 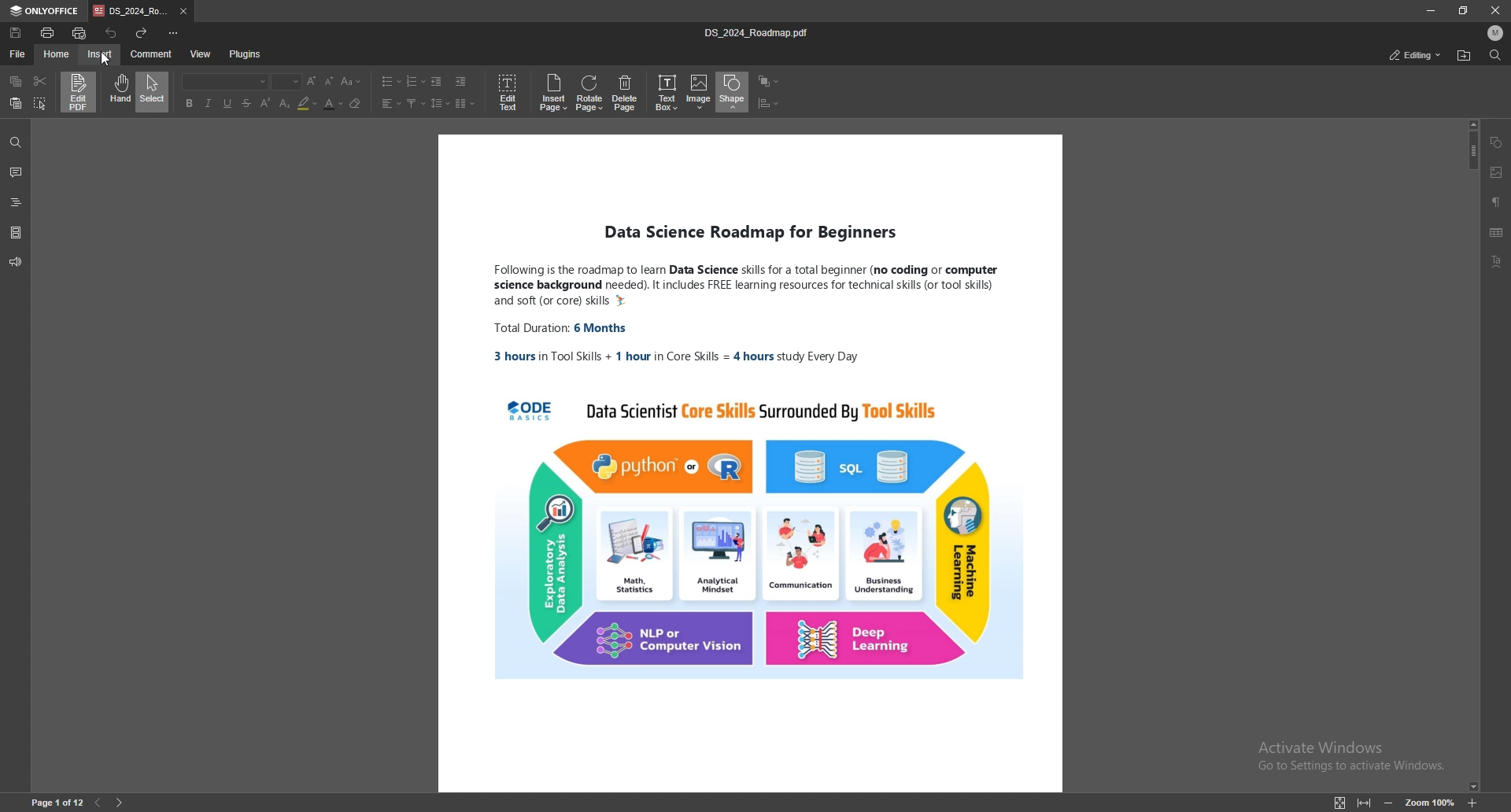 I want to click on paragraph, so click(x=1497, y=201).